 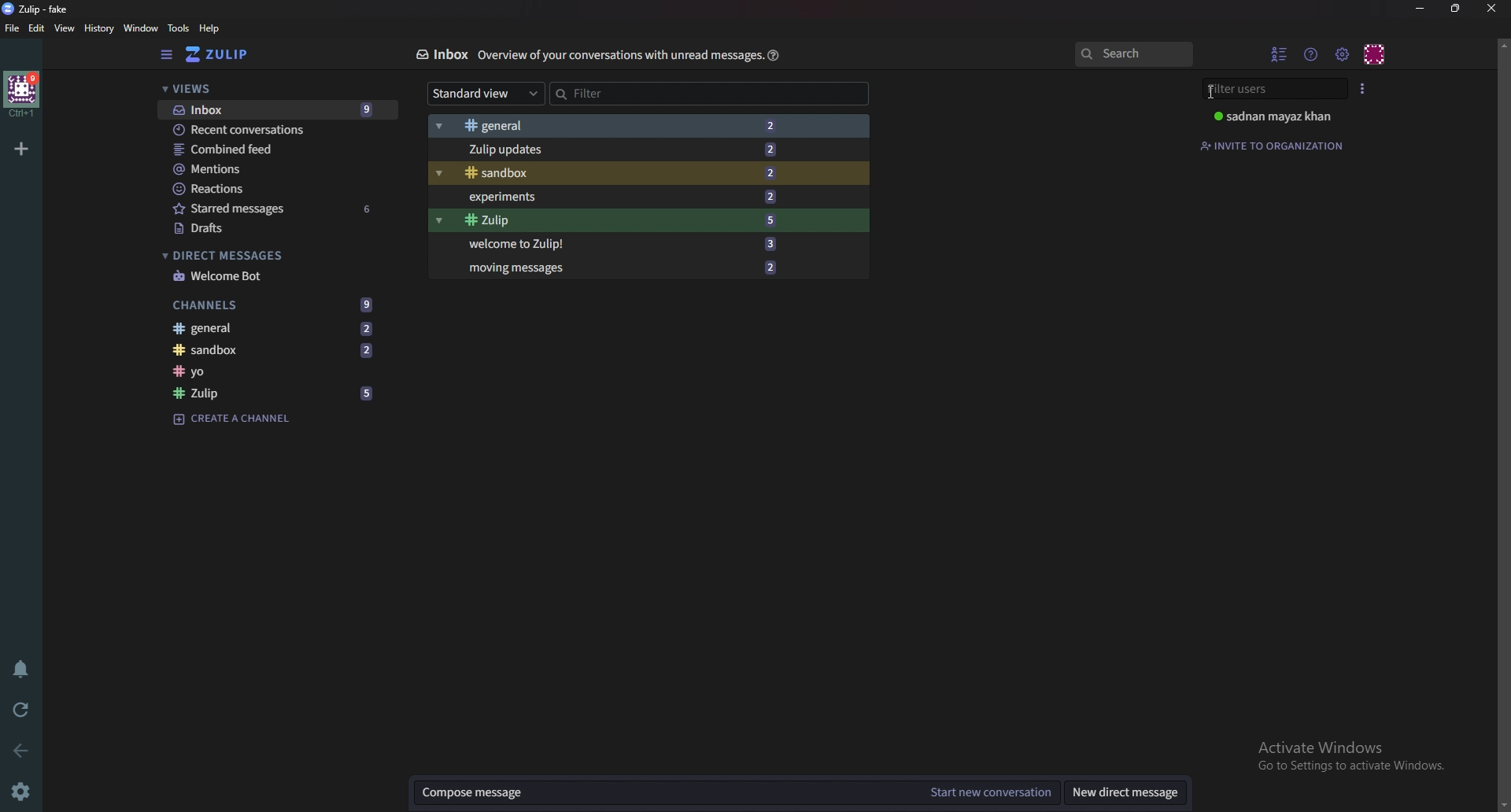 What do you see at coordinates (1493, 10) in the screenshot?
I see `Close` at bounding box center [1493, 10].